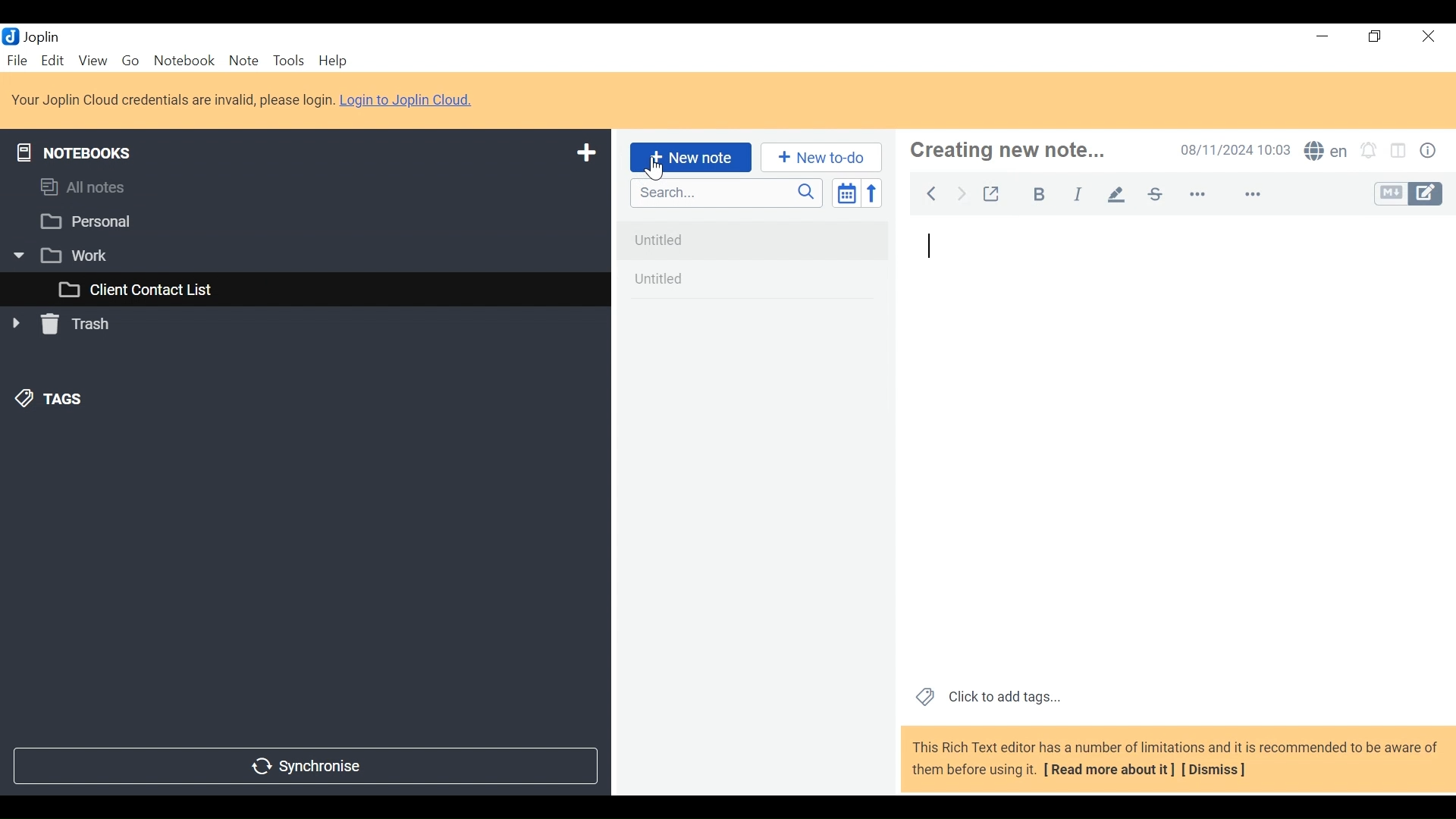  Describe the element at coordinates (1326, 150) in the screenshot. I see `Spell checker` at that location.